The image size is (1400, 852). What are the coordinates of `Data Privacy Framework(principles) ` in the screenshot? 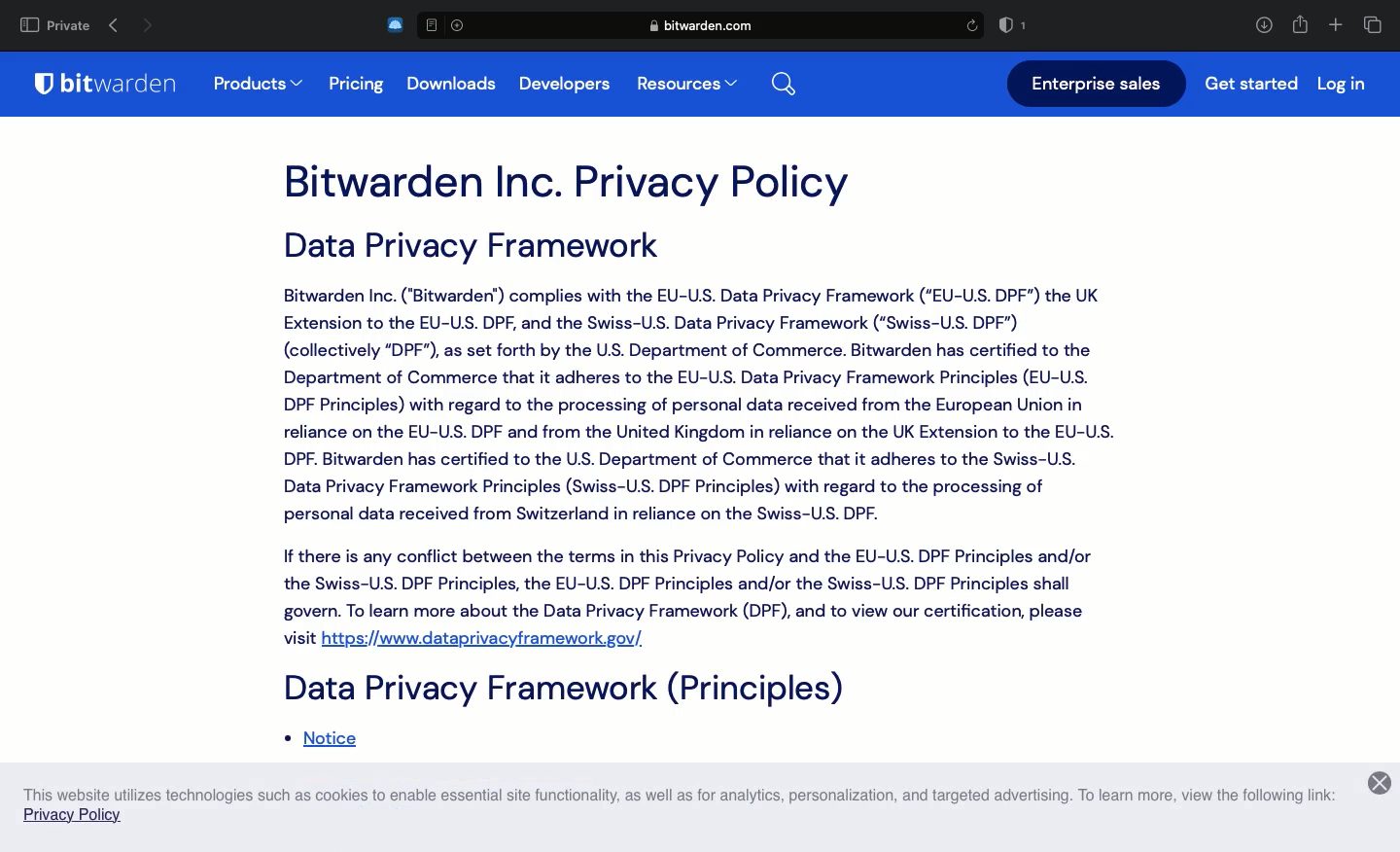 It's located at (566, 687).